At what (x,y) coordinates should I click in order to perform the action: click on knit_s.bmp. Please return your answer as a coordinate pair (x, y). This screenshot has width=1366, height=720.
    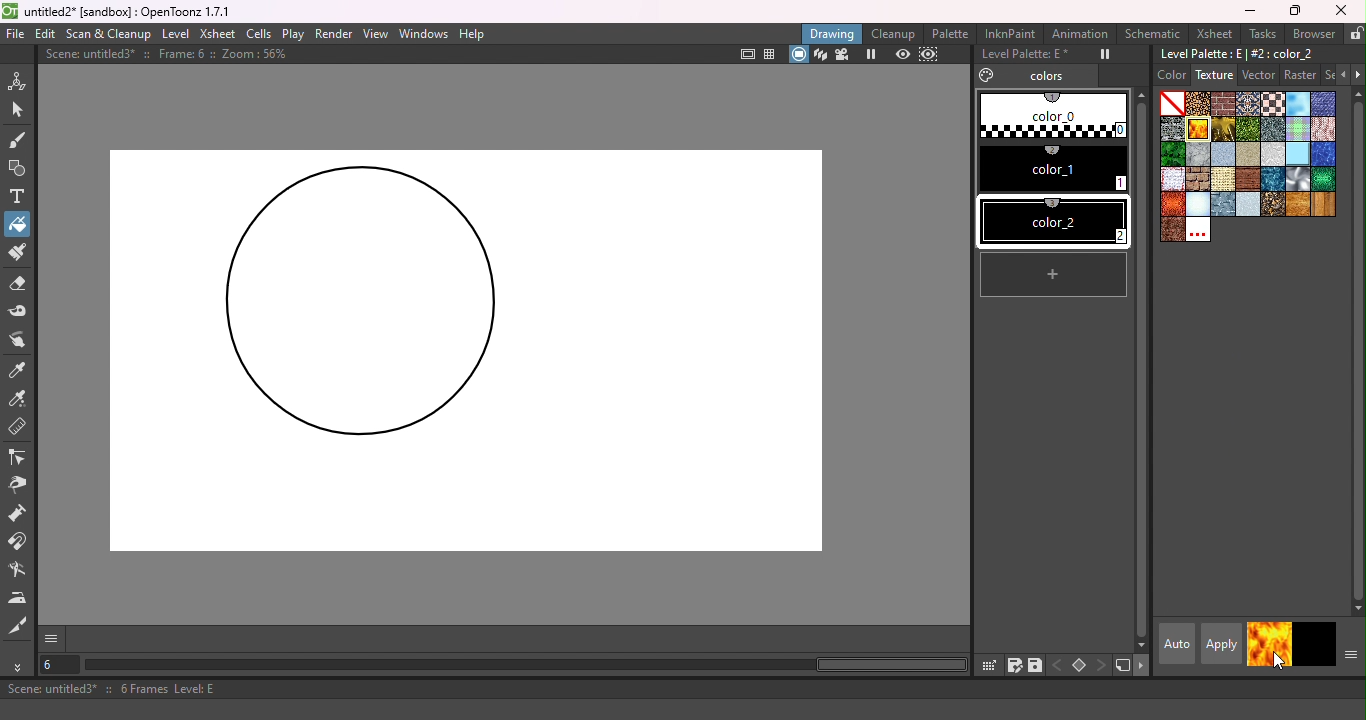
    Looking at the image, I should click on (1323, 129).